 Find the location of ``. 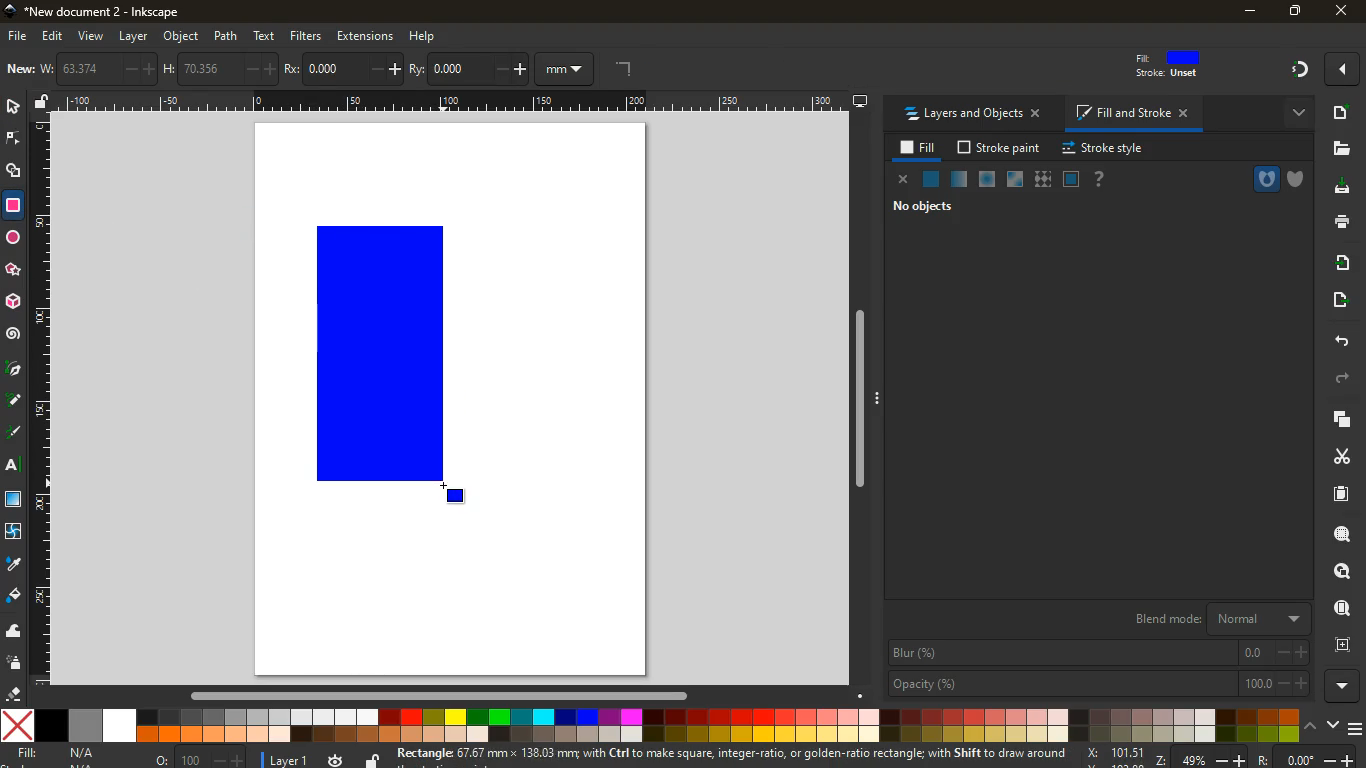

 is located at coordinates (1338, 71).